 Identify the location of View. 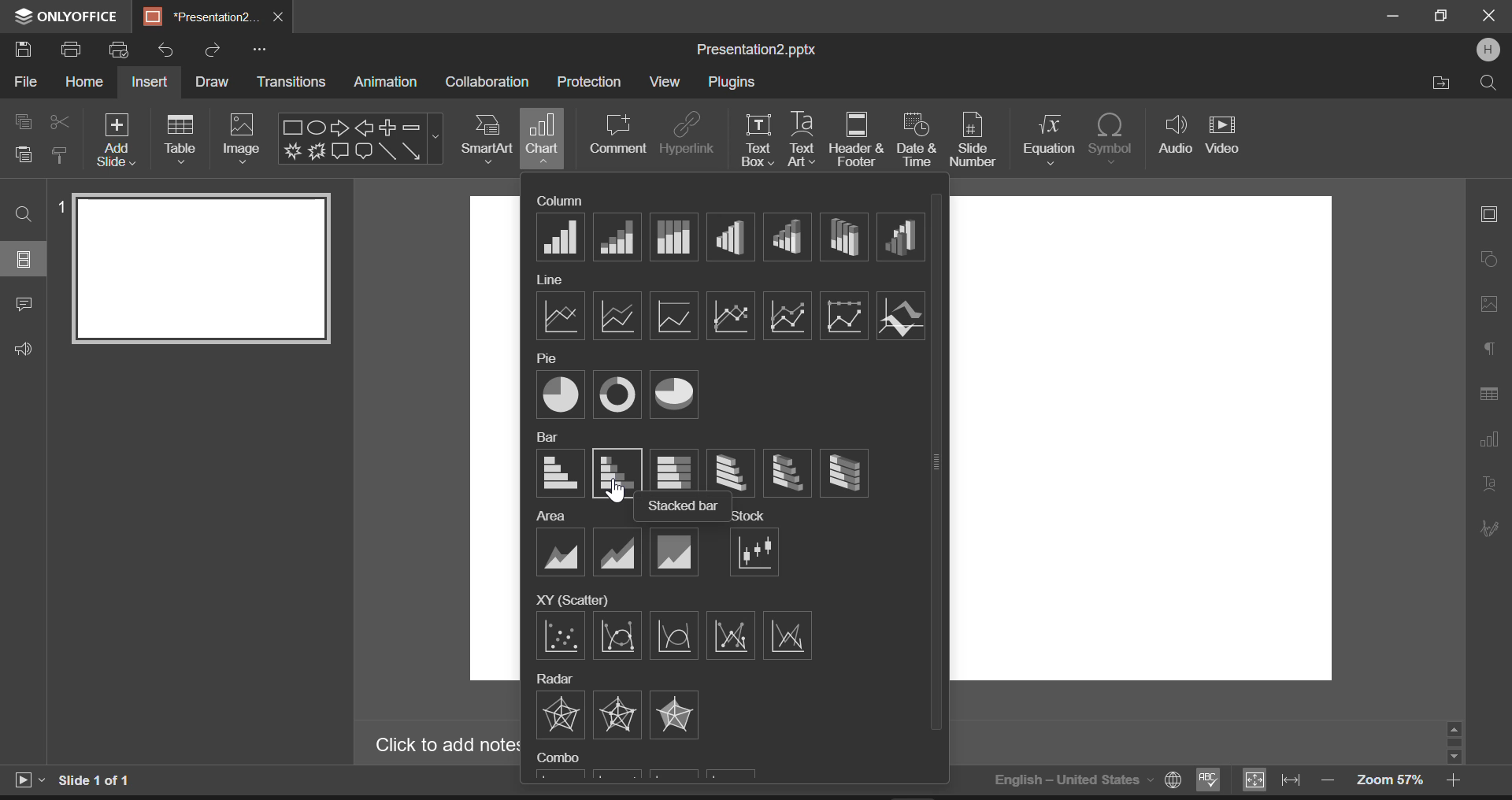
(665, 81).